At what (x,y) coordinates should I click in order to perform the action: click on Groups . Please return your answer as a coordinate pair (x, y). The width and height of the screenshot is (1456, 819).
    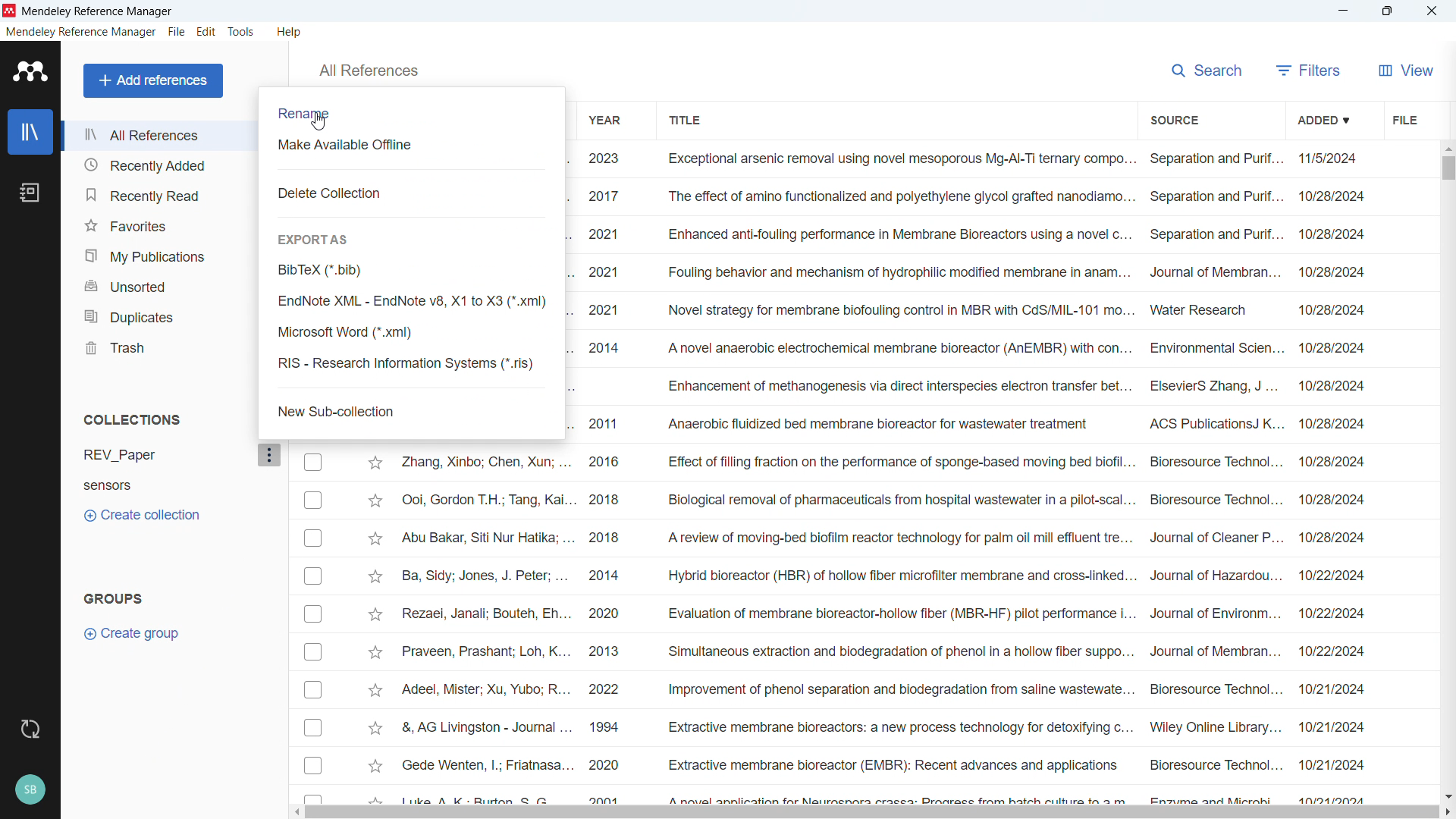
    Looking at the image, I should click on (111, 598).